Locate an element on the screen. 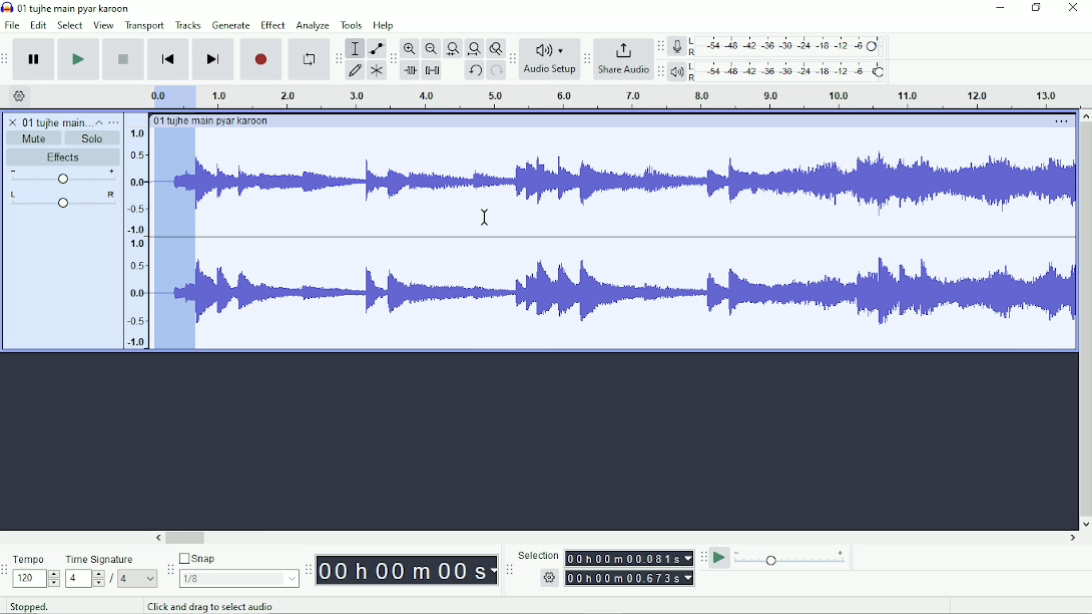 The image size is (1092, 614). Audio Waves is located at coordinates (636, 293).